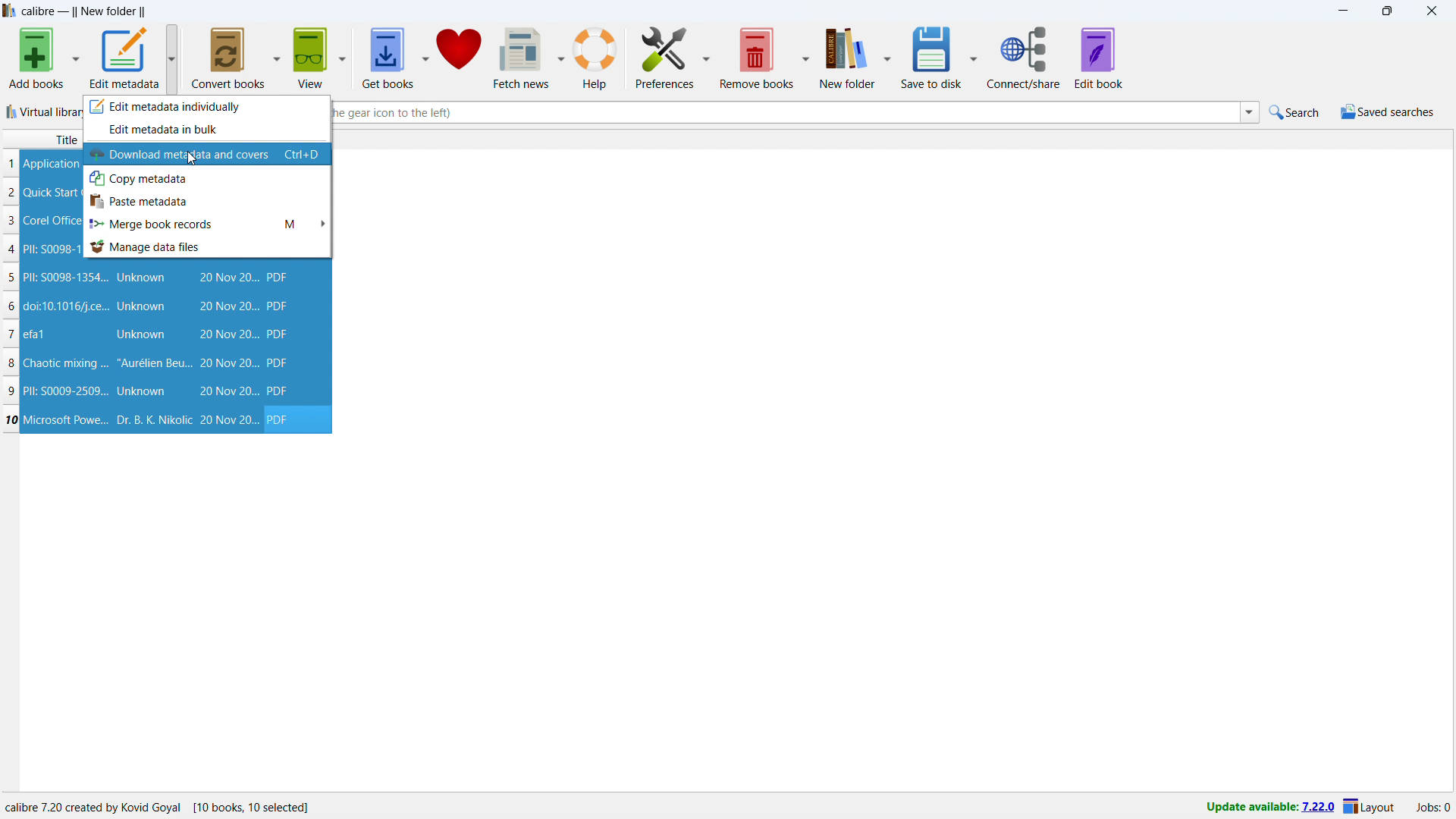 This screenshot has width=1456, height=819. I want to click on PDF, so click(279, 362).